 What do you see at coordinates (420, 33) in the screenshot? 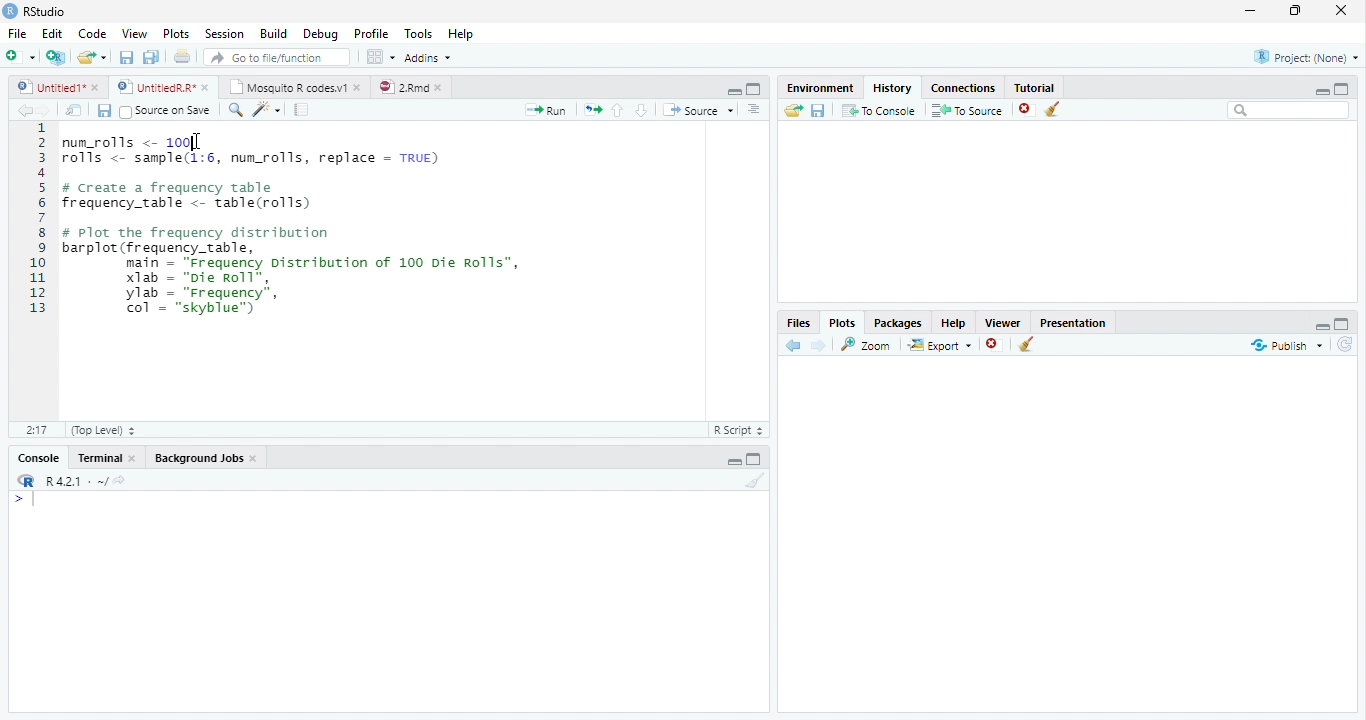
I see `Tools` at bounding box center [420, 33].